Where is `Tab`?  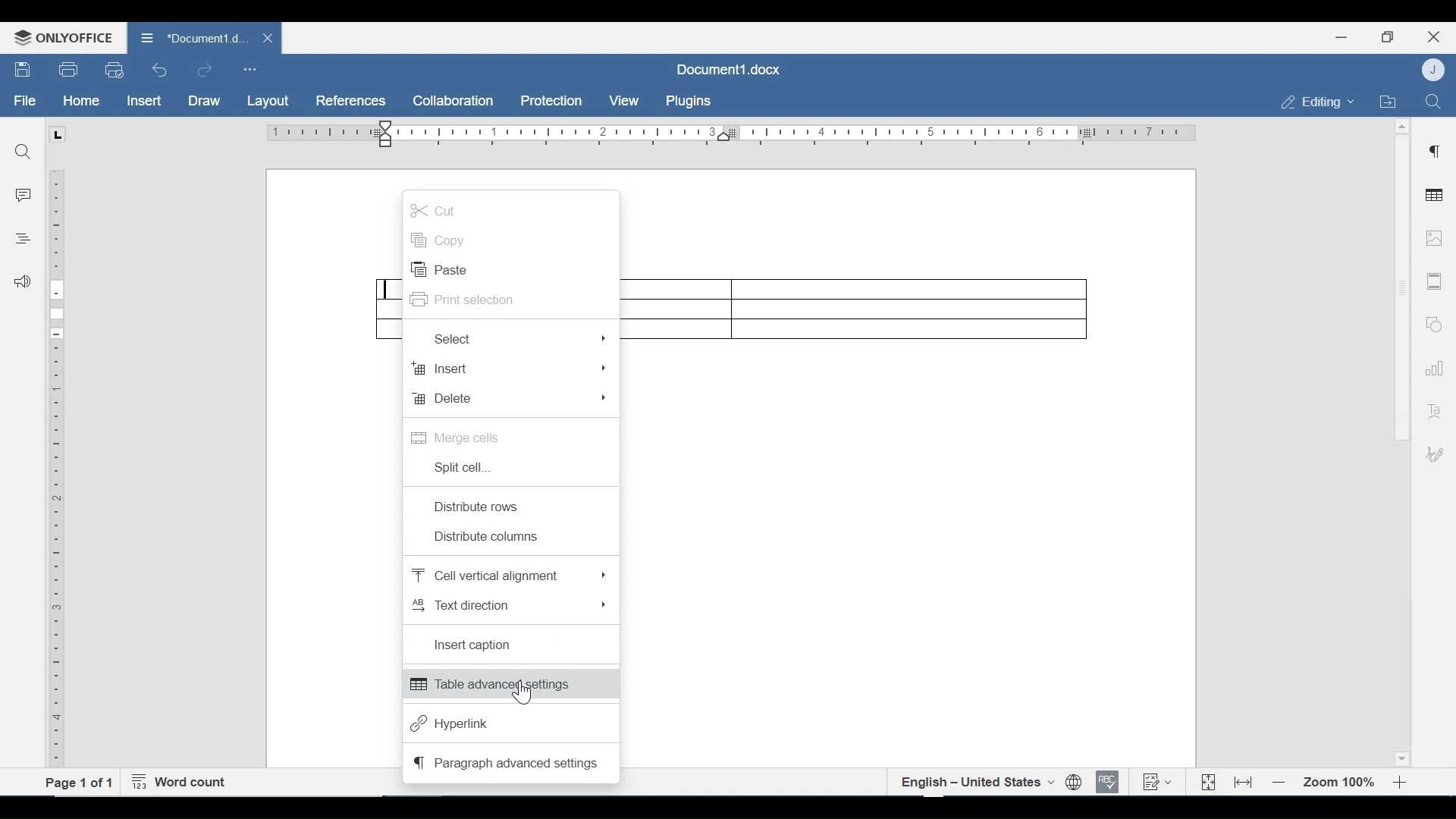 Tab is located at coordinates (57, 134).